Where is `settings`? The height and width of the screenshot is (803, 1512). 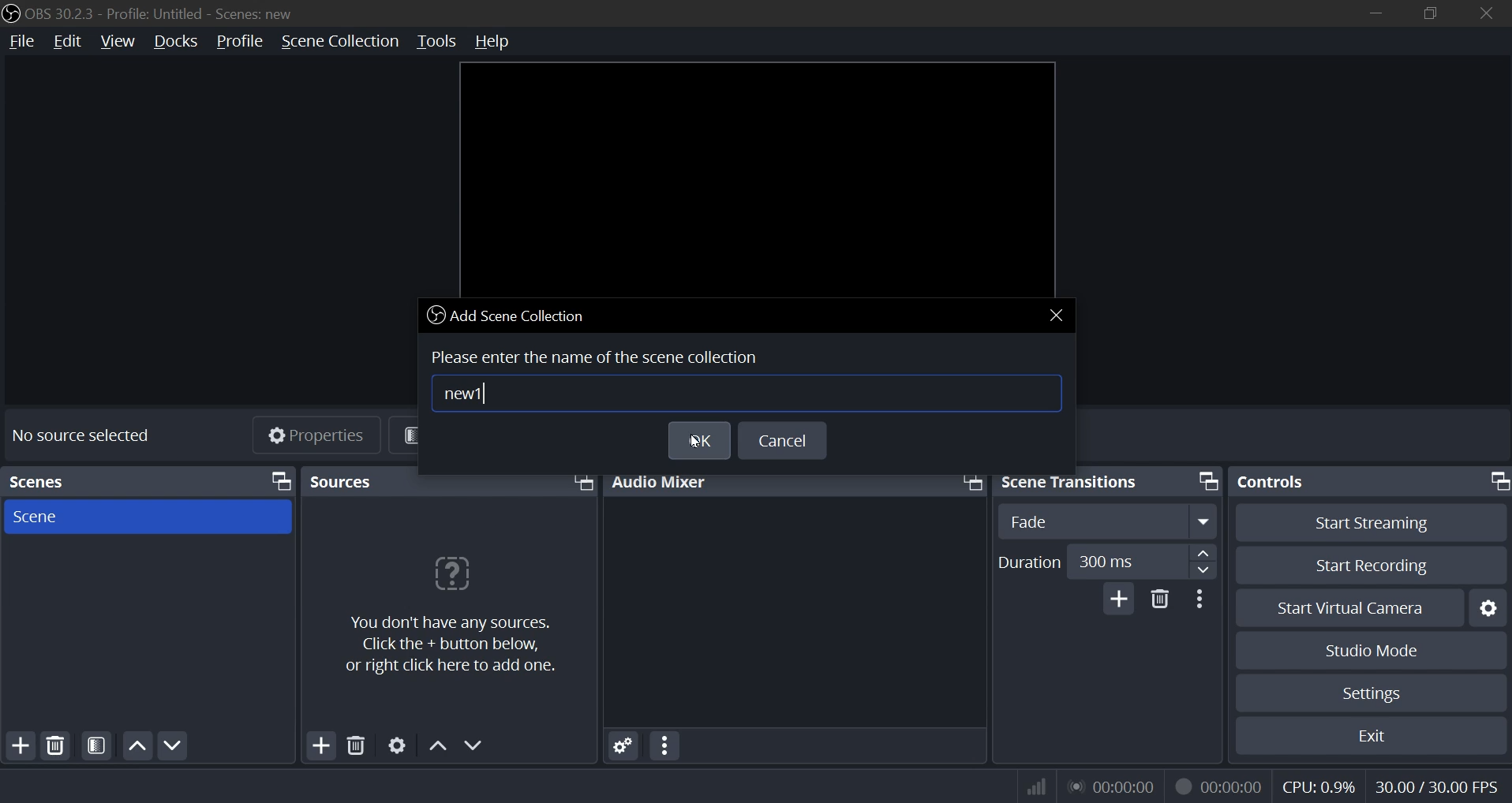
settings is located at coordinates (619, 745).